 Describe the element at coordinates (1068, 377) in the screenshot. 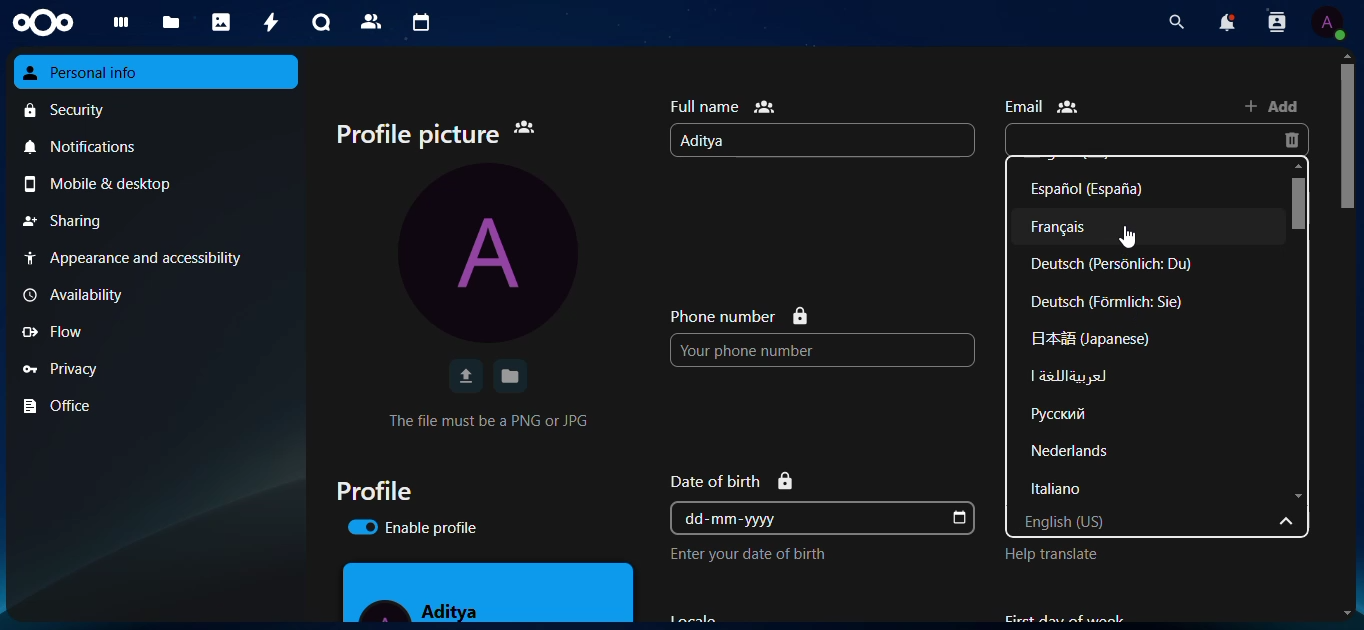

I see `language` at that location.